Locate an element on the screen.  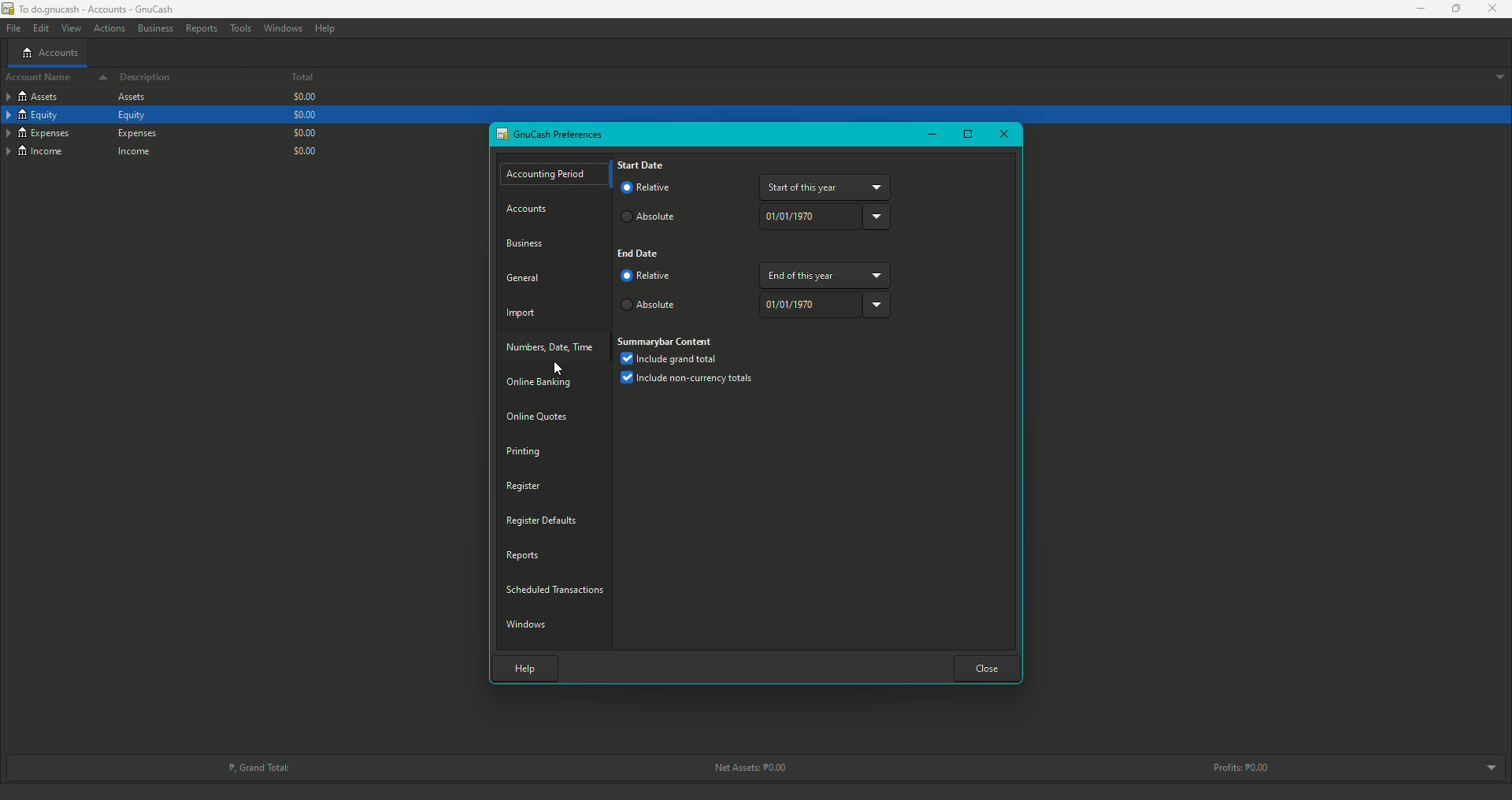
Business is located at coordinates (154, 27).